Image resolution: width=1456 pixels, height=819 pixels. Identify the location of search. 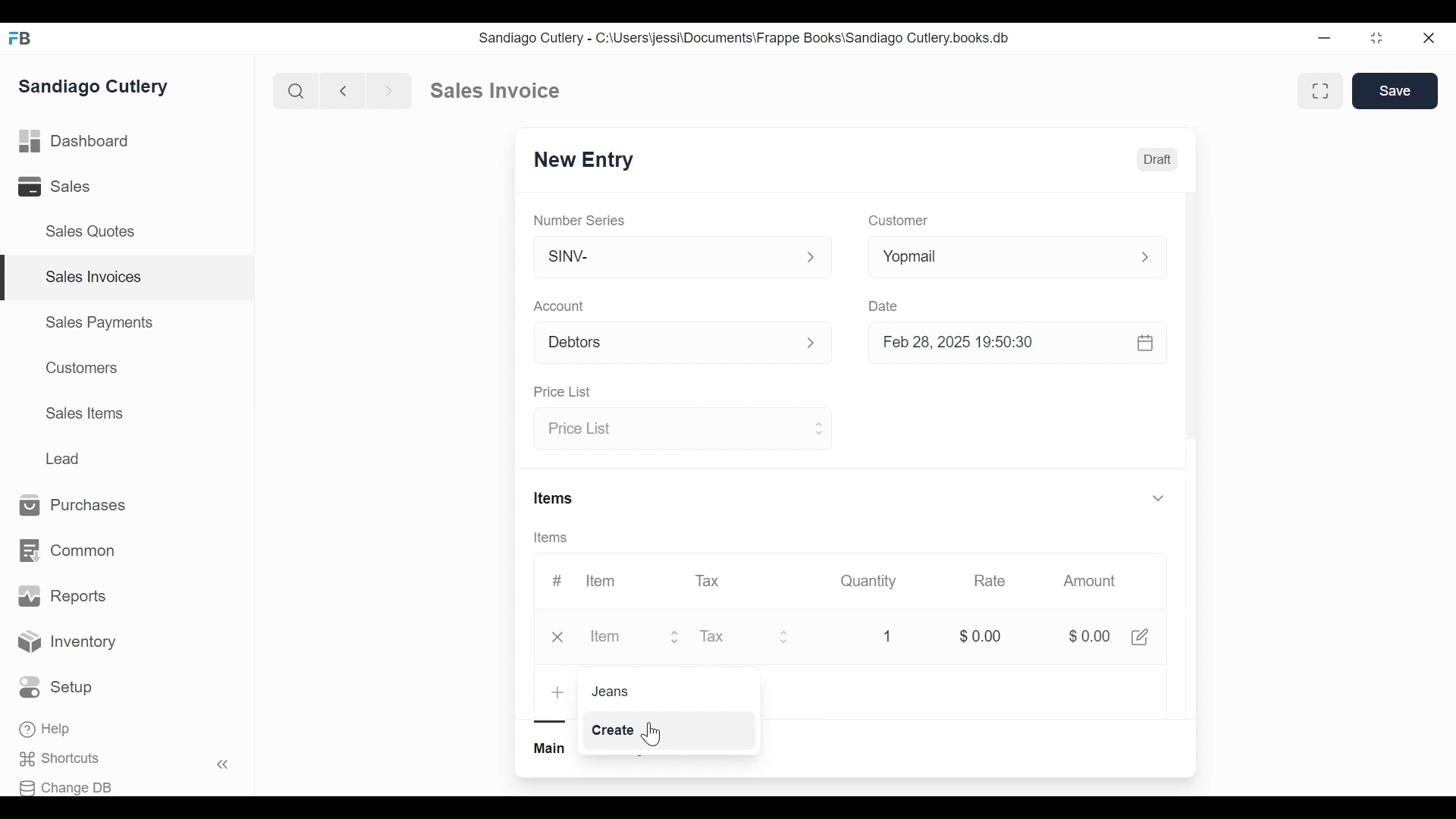
(297, 92).